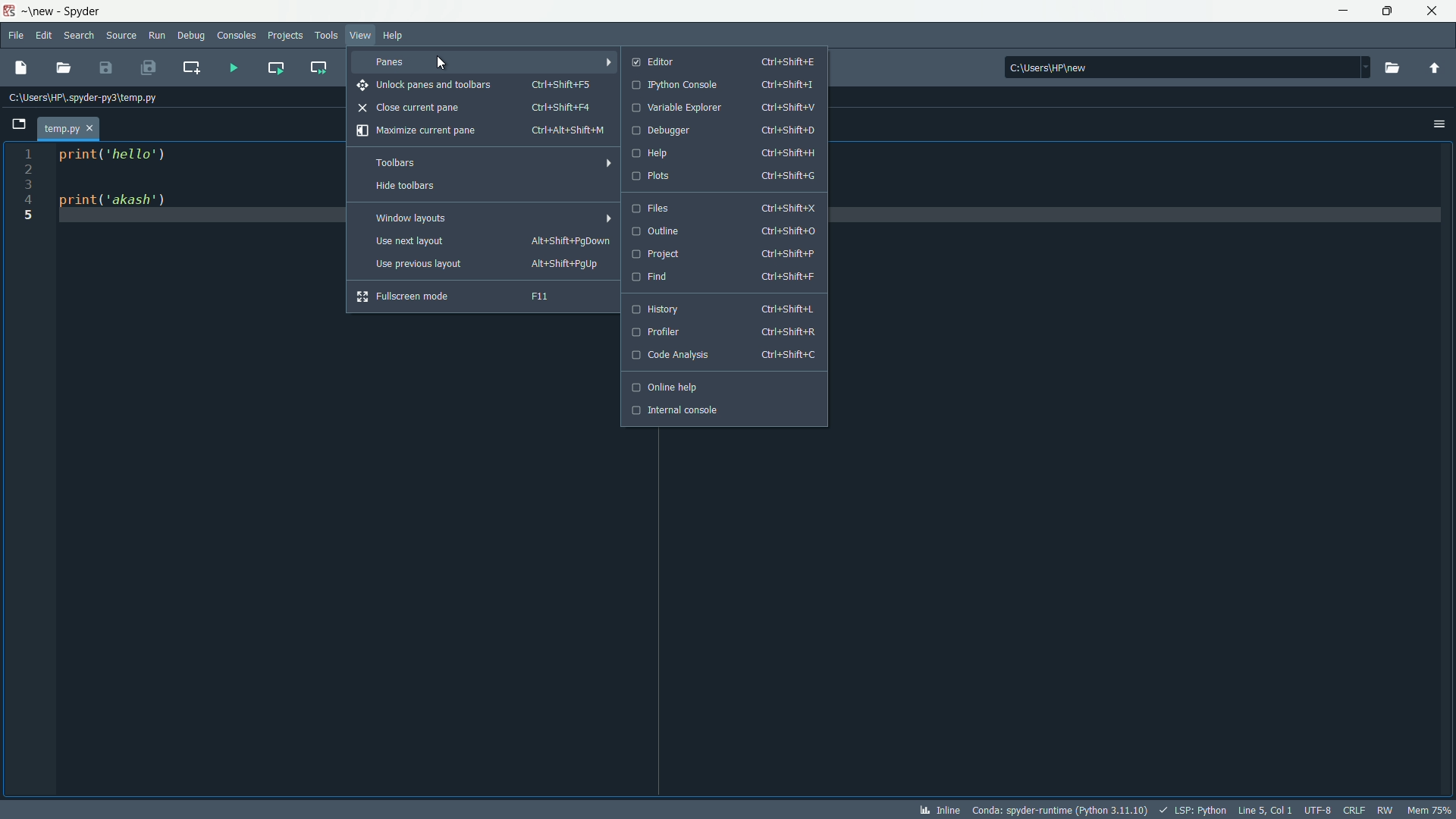  What do you see at coordinates (148, 67) in the screenshot?
I see `save all files` at bounding box center [148, 67].